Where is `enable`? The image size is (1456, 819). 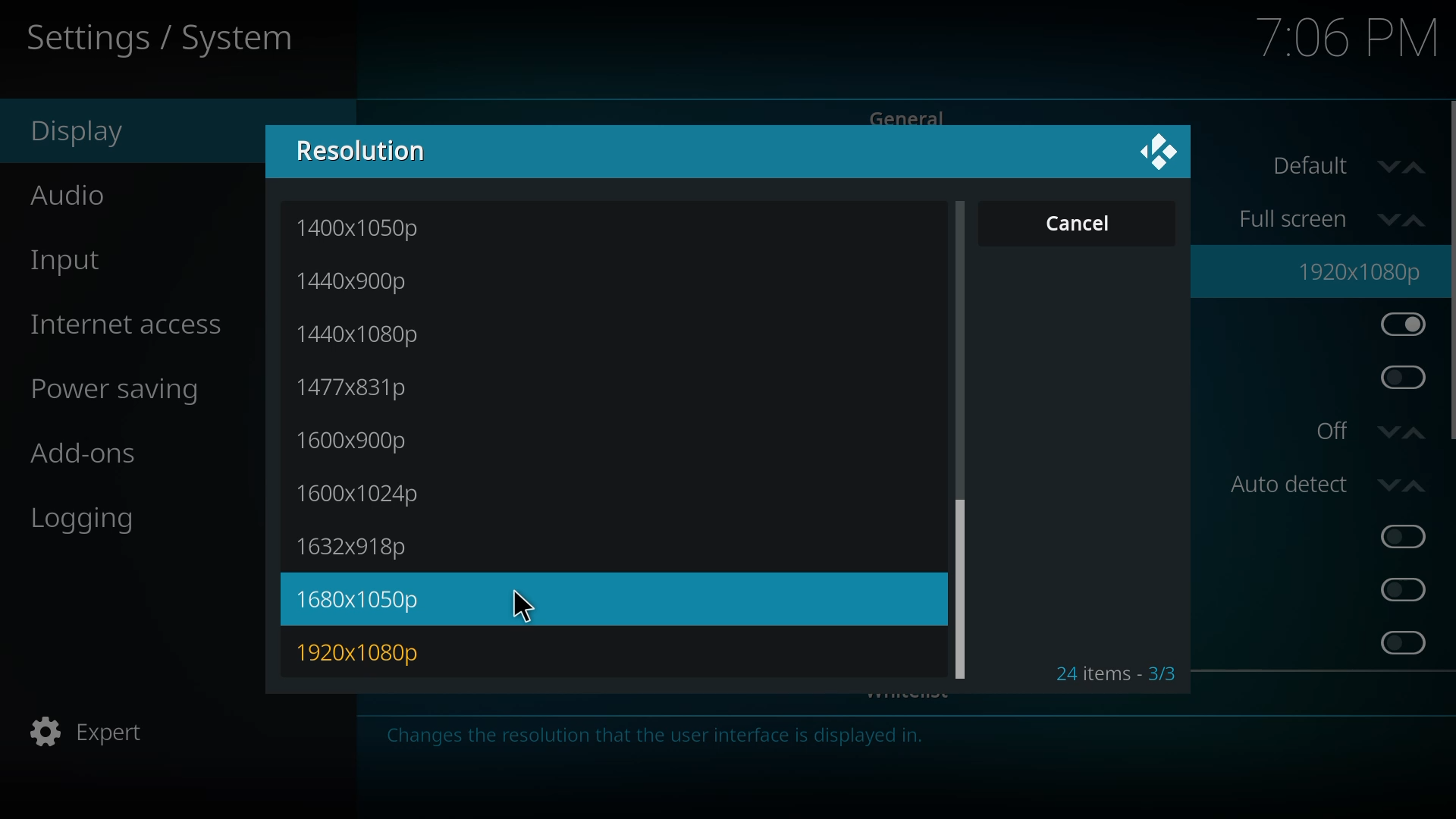 enable is located at coordinates (1404, 642).